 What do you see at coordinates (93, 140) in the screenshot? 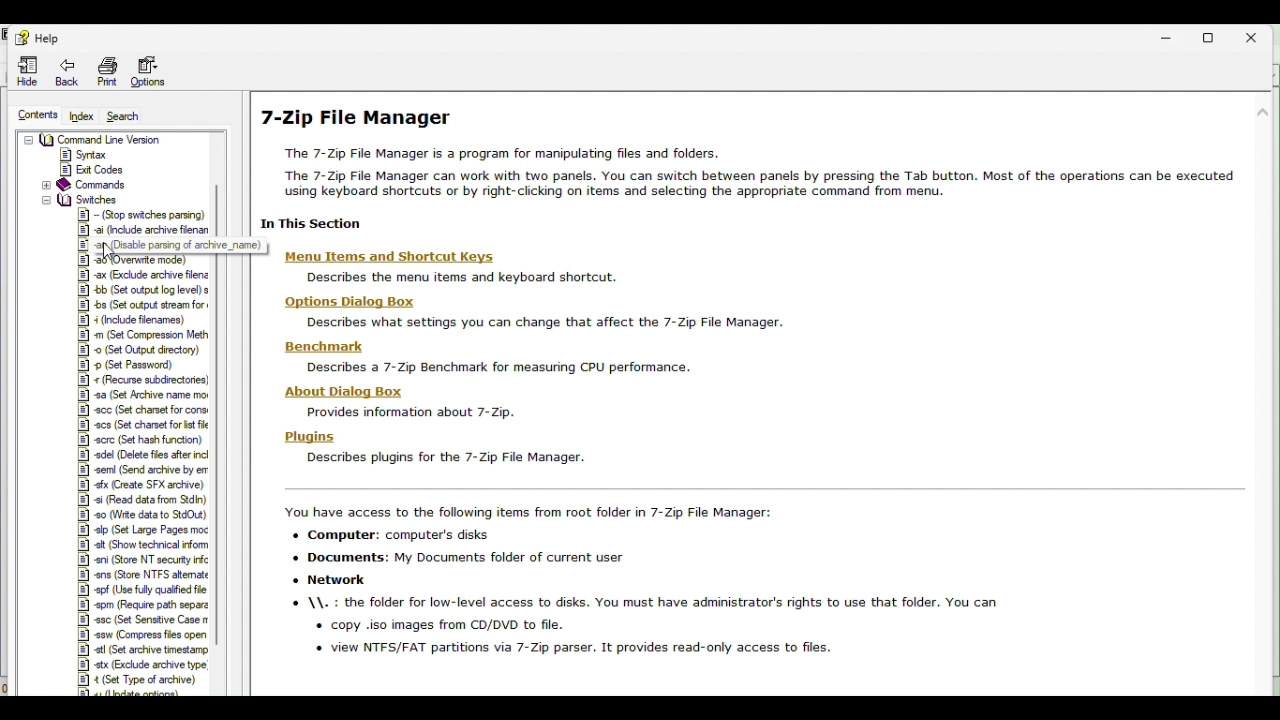
I see `Command Line Version` at bounding box center [93, 140].